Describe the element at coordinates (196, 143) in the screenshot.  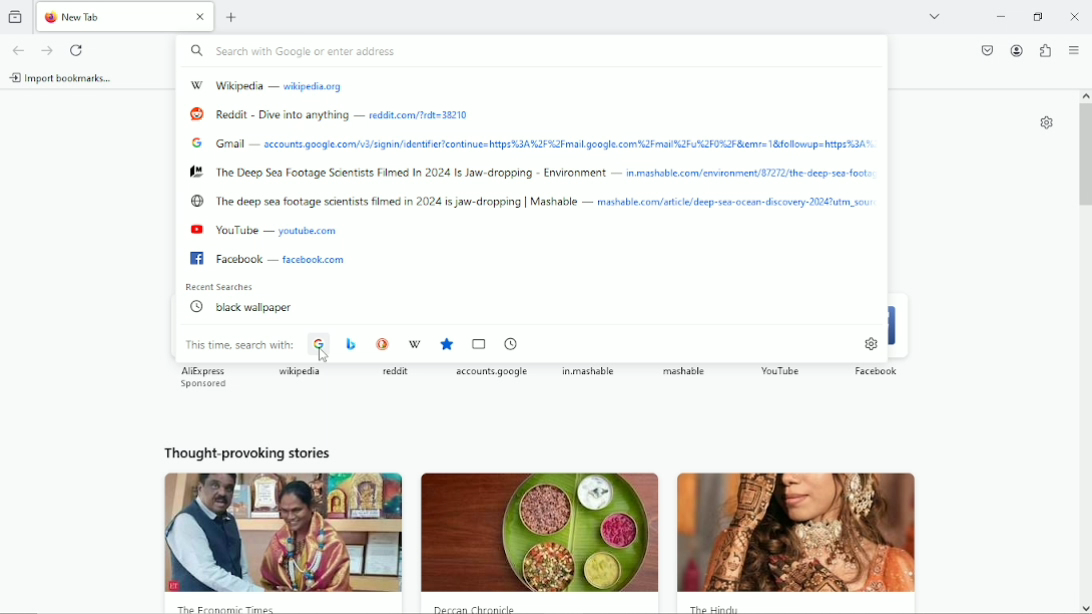
I see `google logo` at that location.